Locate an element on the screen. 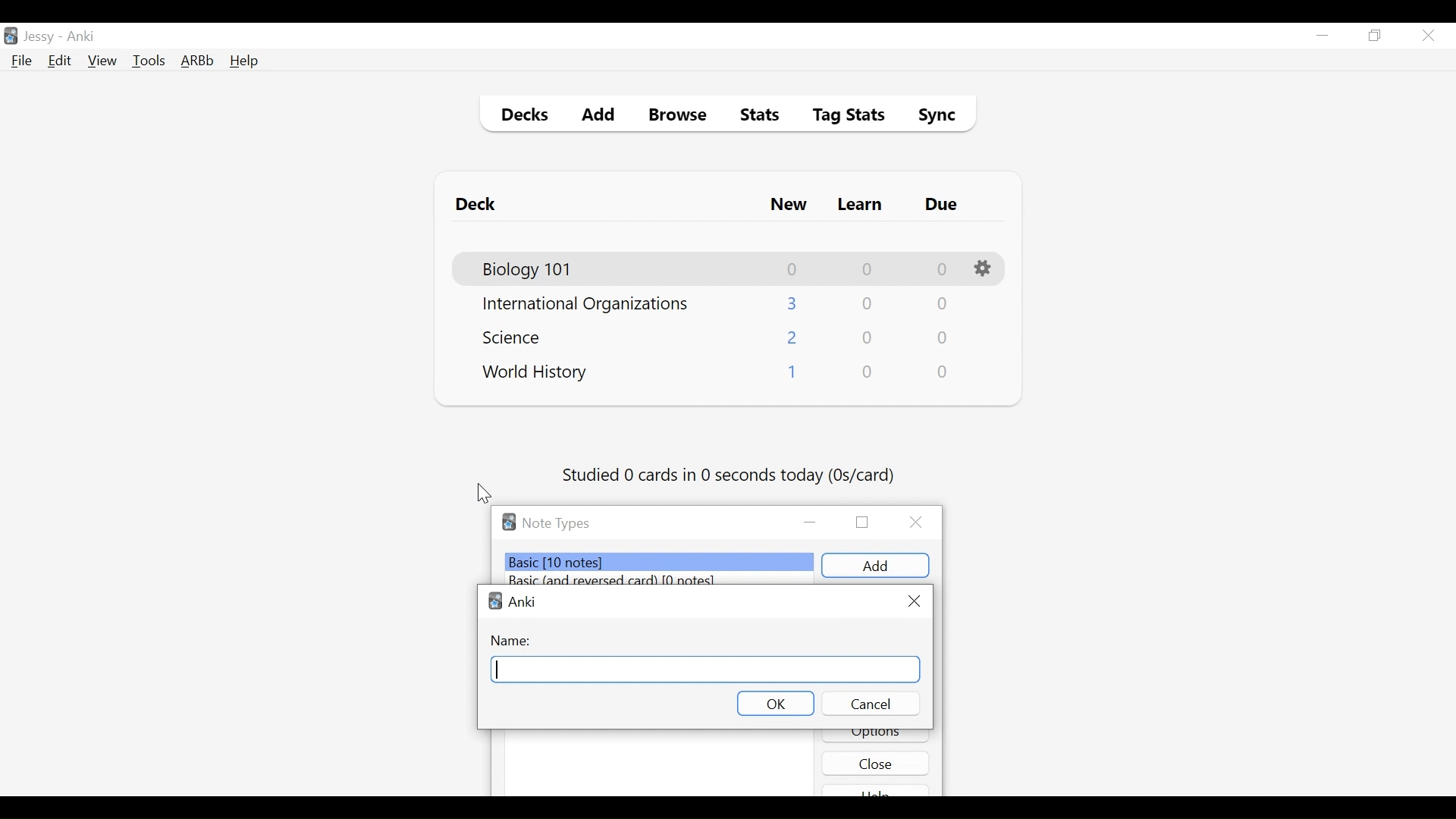 This screenshot has height=819, width=1456. Help is located at coordinates (243, 62).